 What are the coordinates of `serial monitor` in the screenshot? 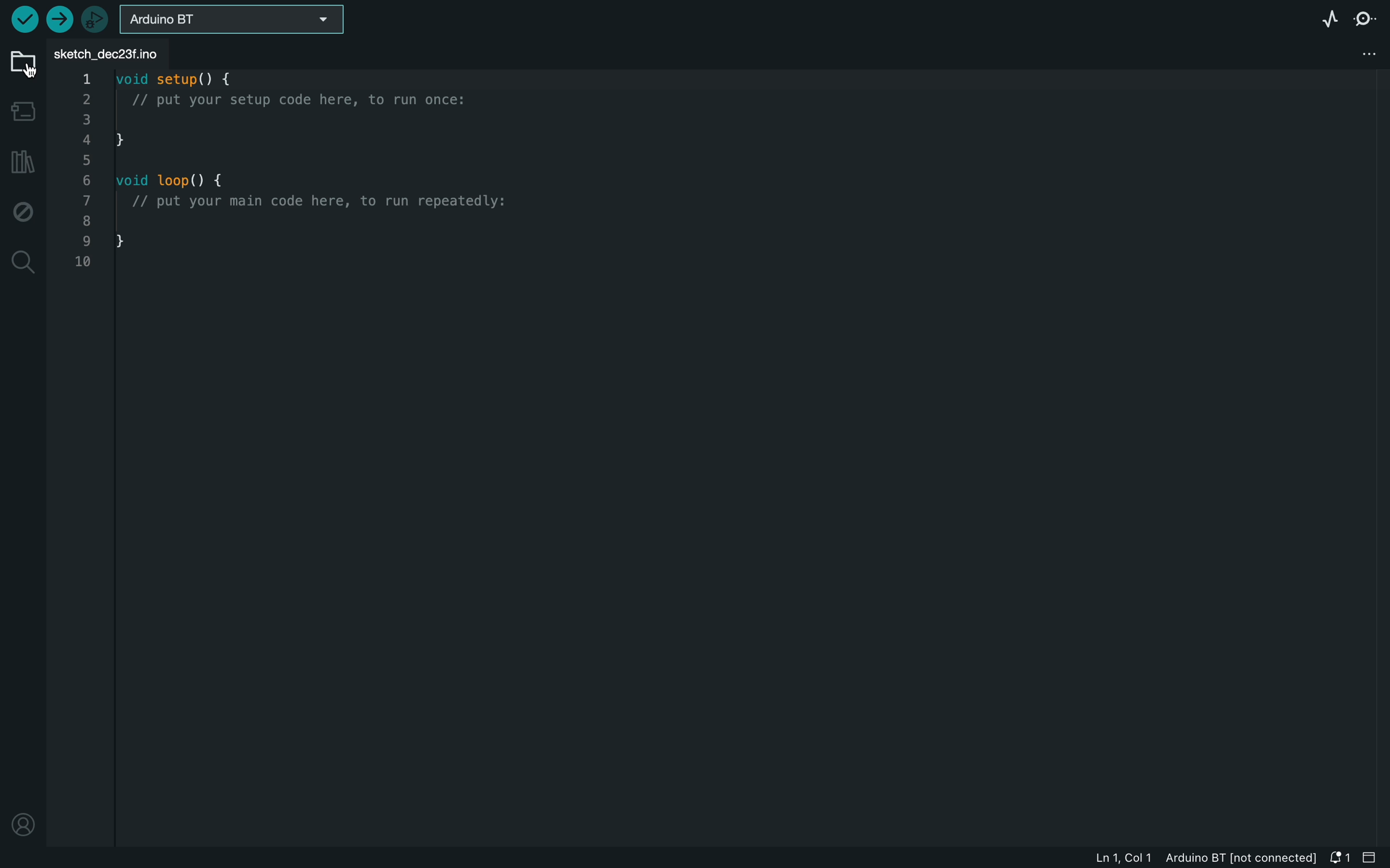 It's located at (1368, 18).